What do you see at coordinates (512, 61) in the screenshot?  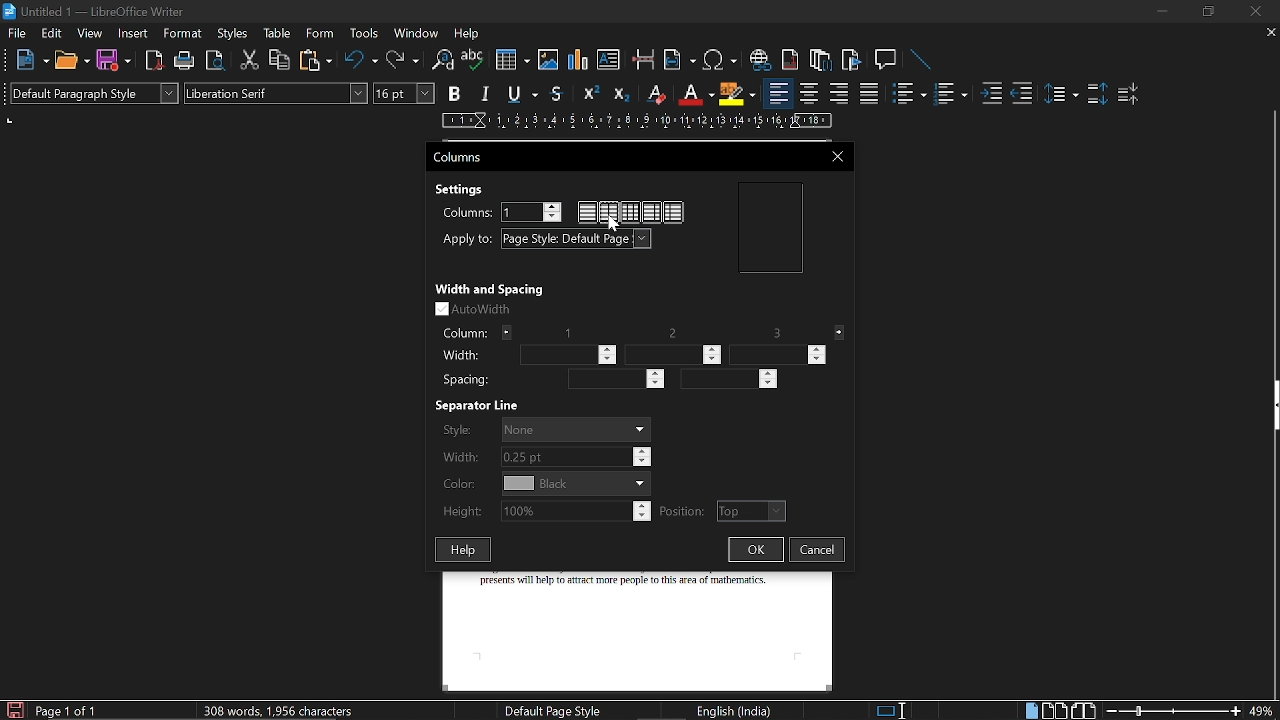 I see `Insert table` at bounding box center [512, 61].